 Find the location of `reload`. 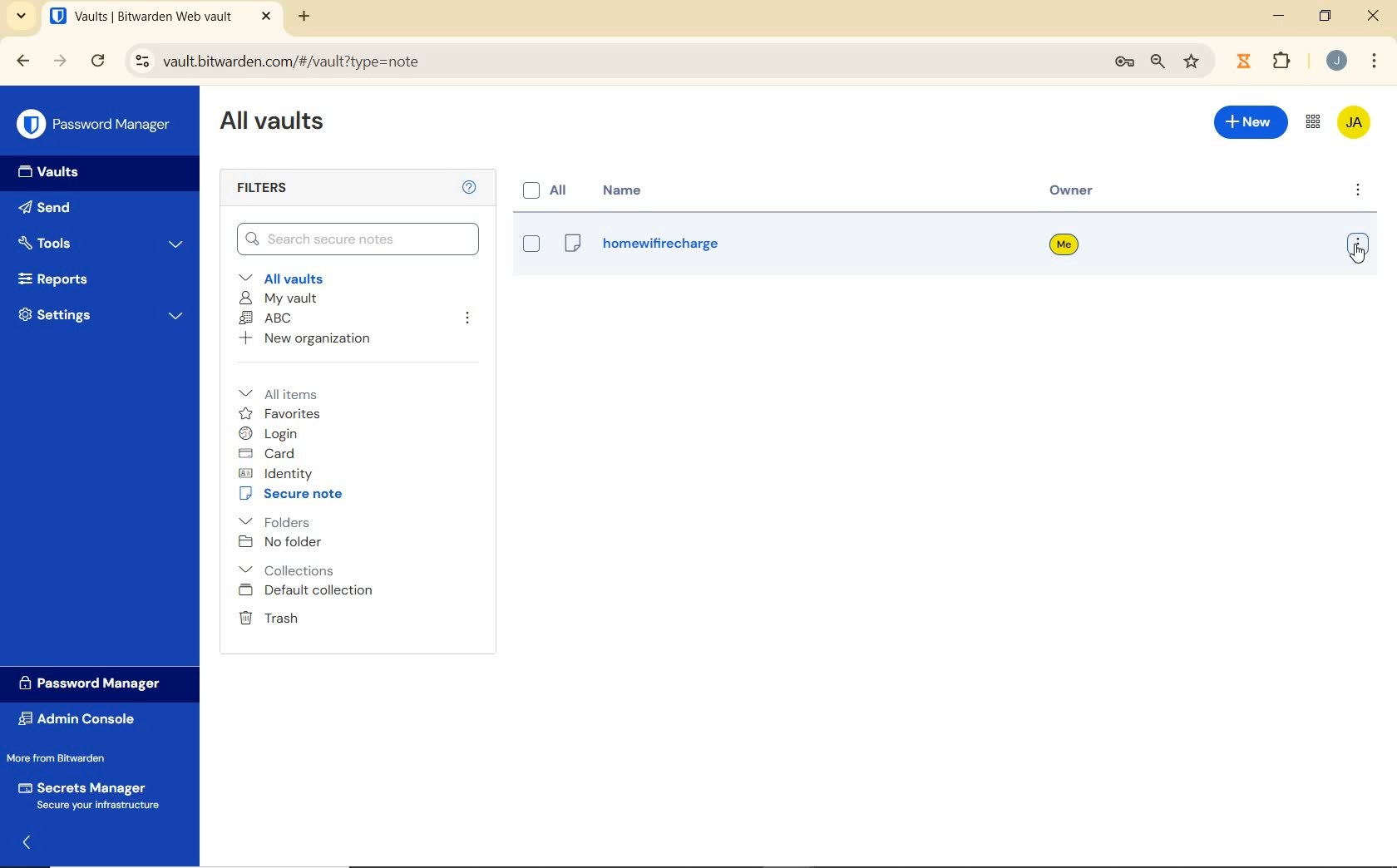

reload is located at coordinates (97, 62).